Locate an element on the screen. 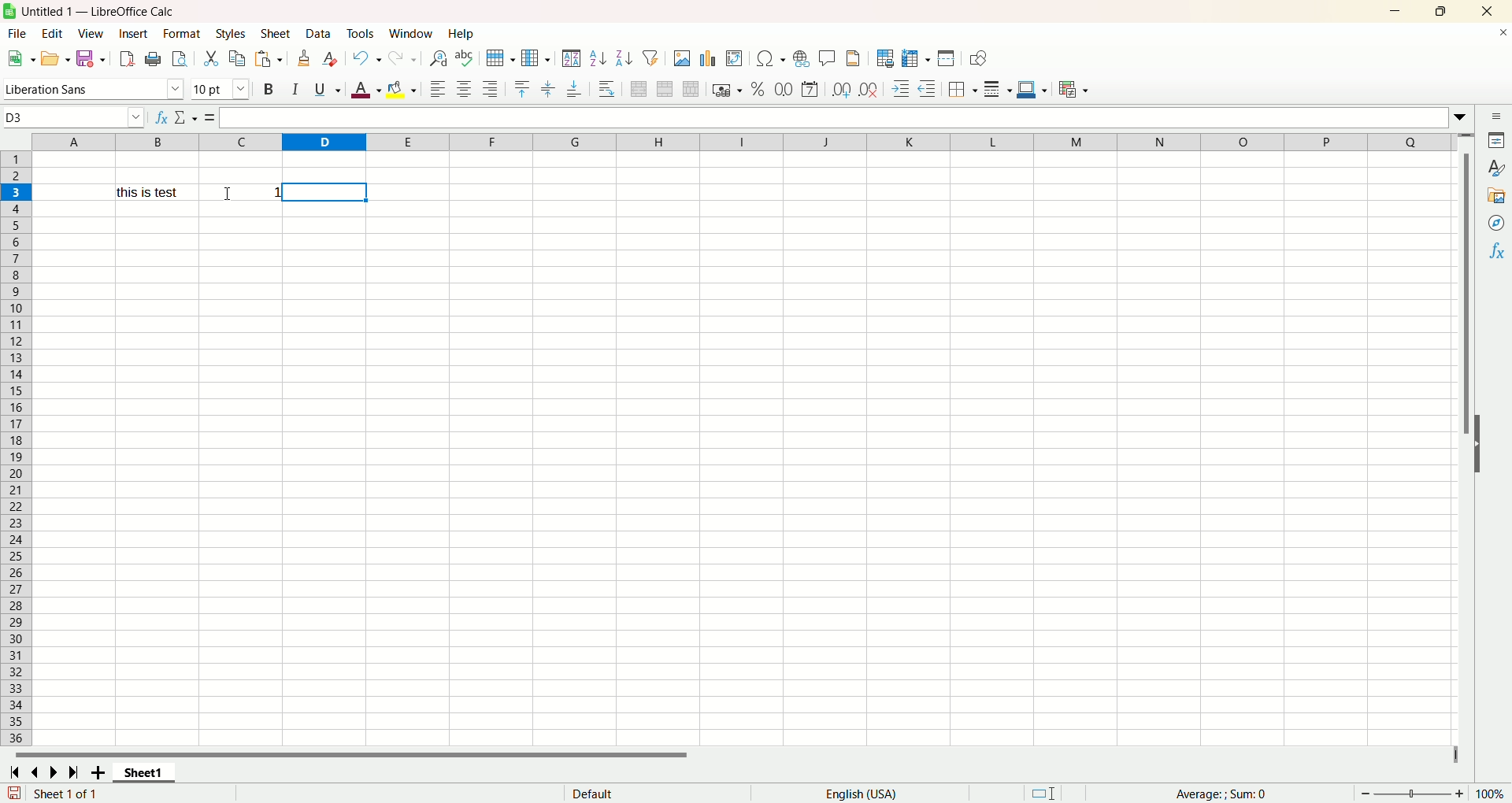 Image resolution: width=1512 pixels, height=803 pixels. formual input is located at coordinates (276, 118).